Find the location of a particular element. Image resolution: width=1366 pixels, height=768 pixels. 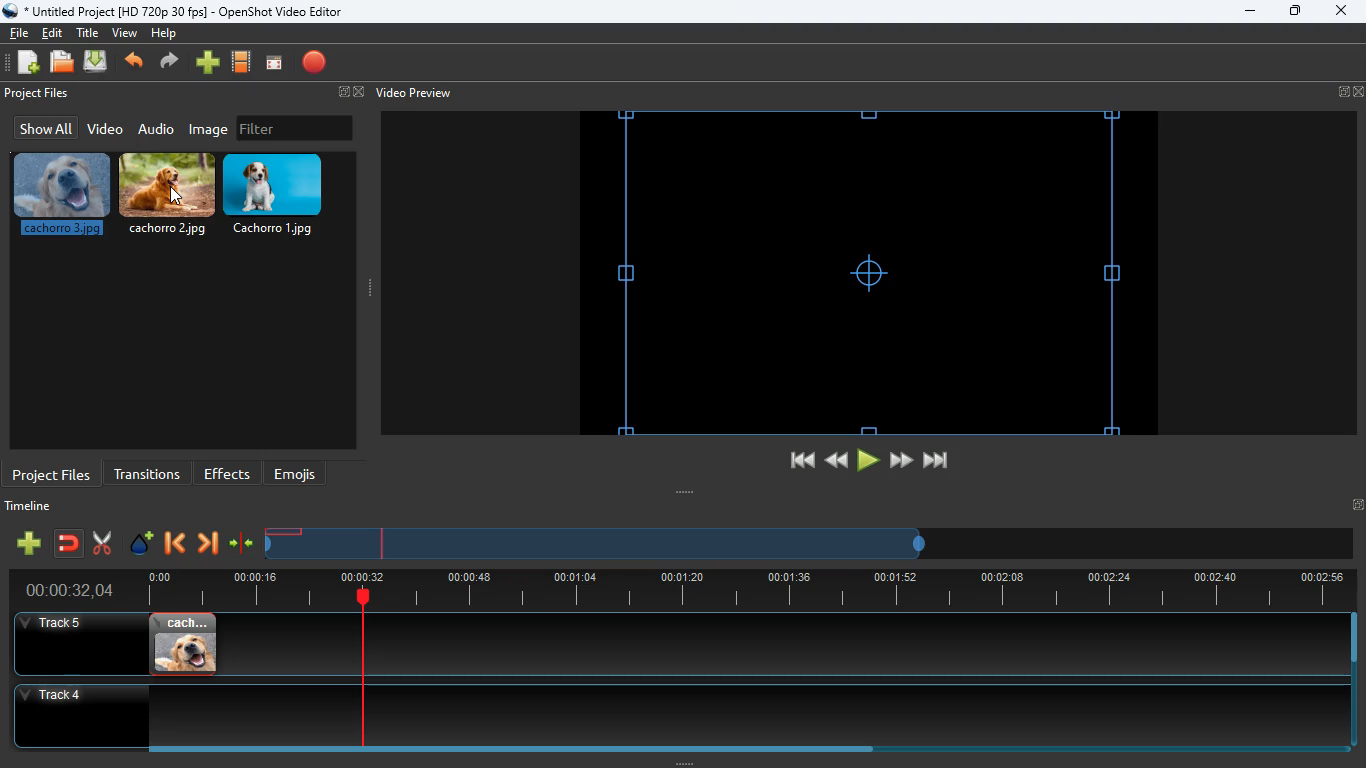

cachorro.3.jpg is located at coordinates (62, 195).